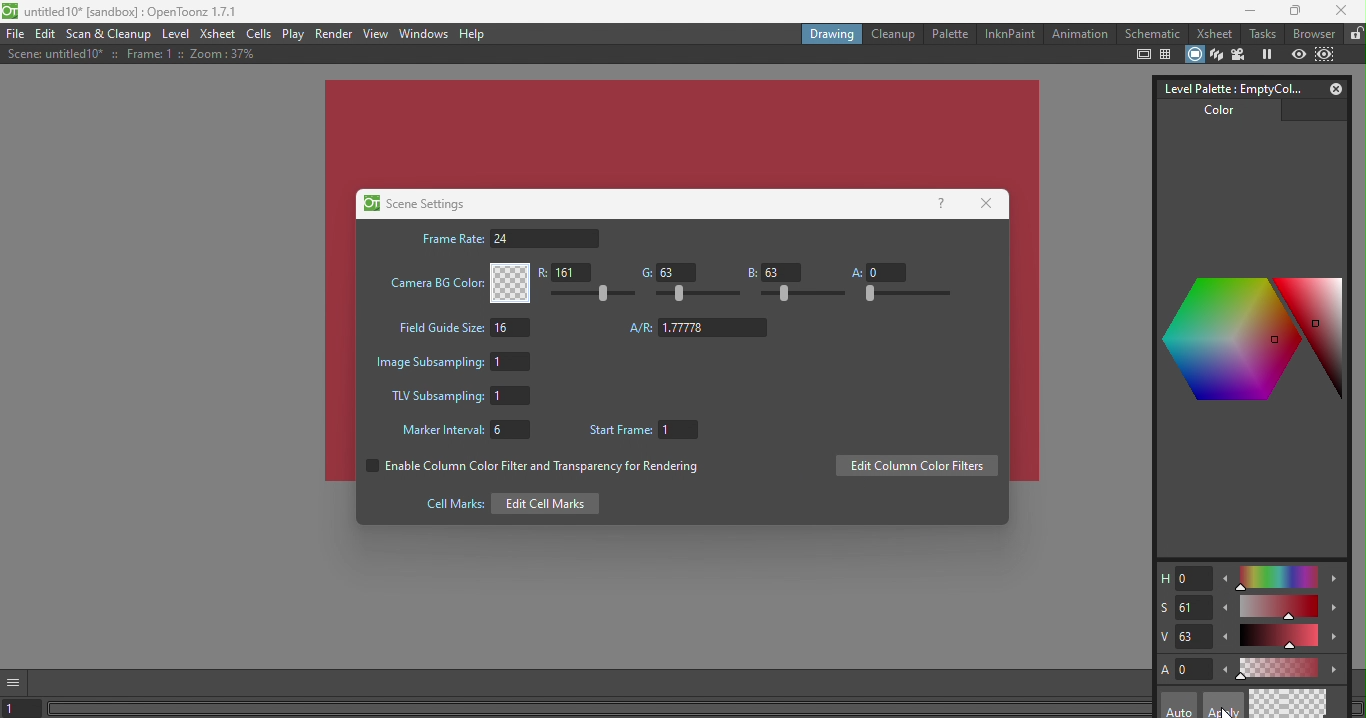  I want to click on Xsheet, so click(216, 34).